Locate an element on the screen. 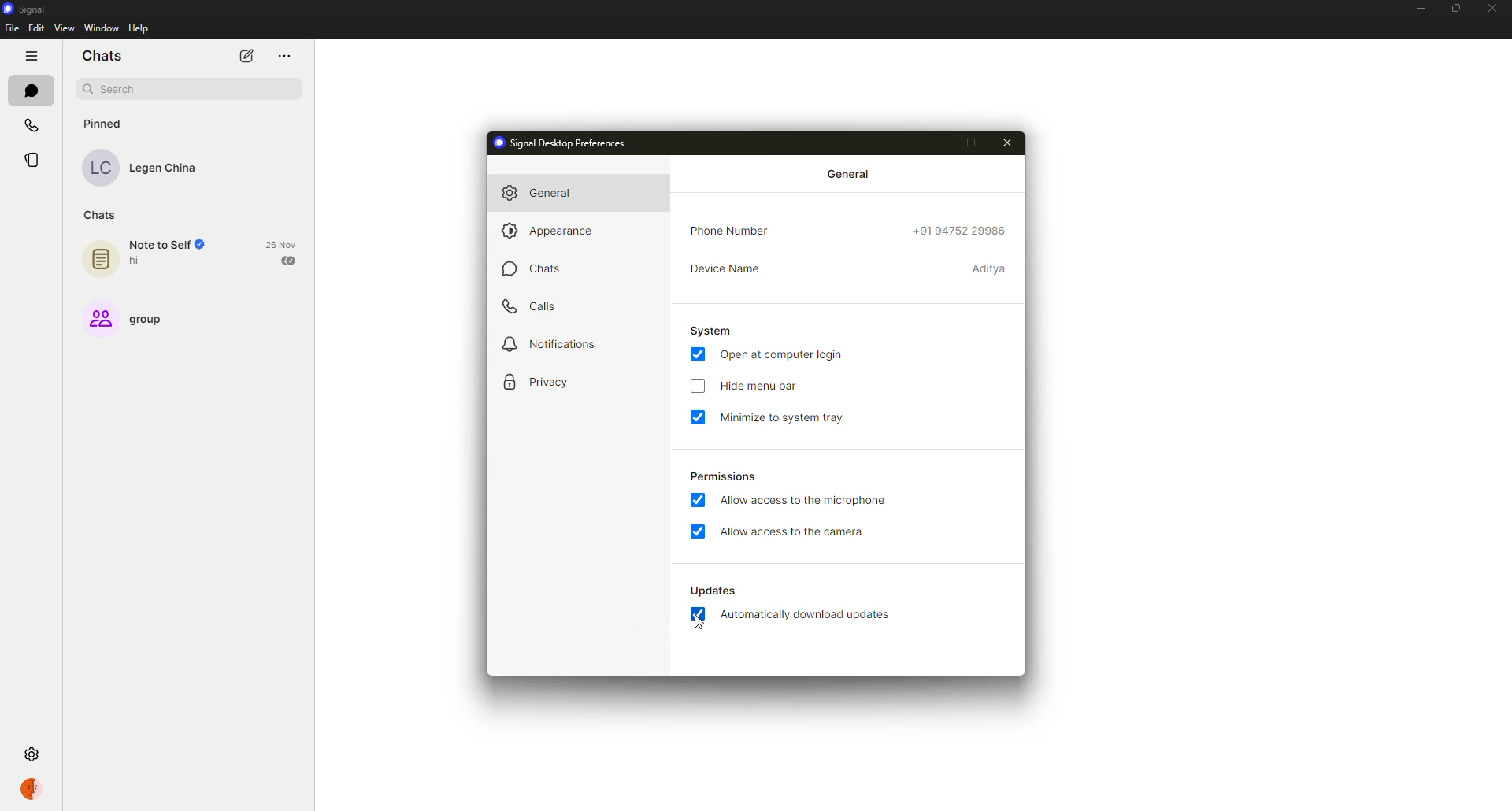 The width and height of the screenshot is (1512, 811). chats is located at coordinates (99, 214).